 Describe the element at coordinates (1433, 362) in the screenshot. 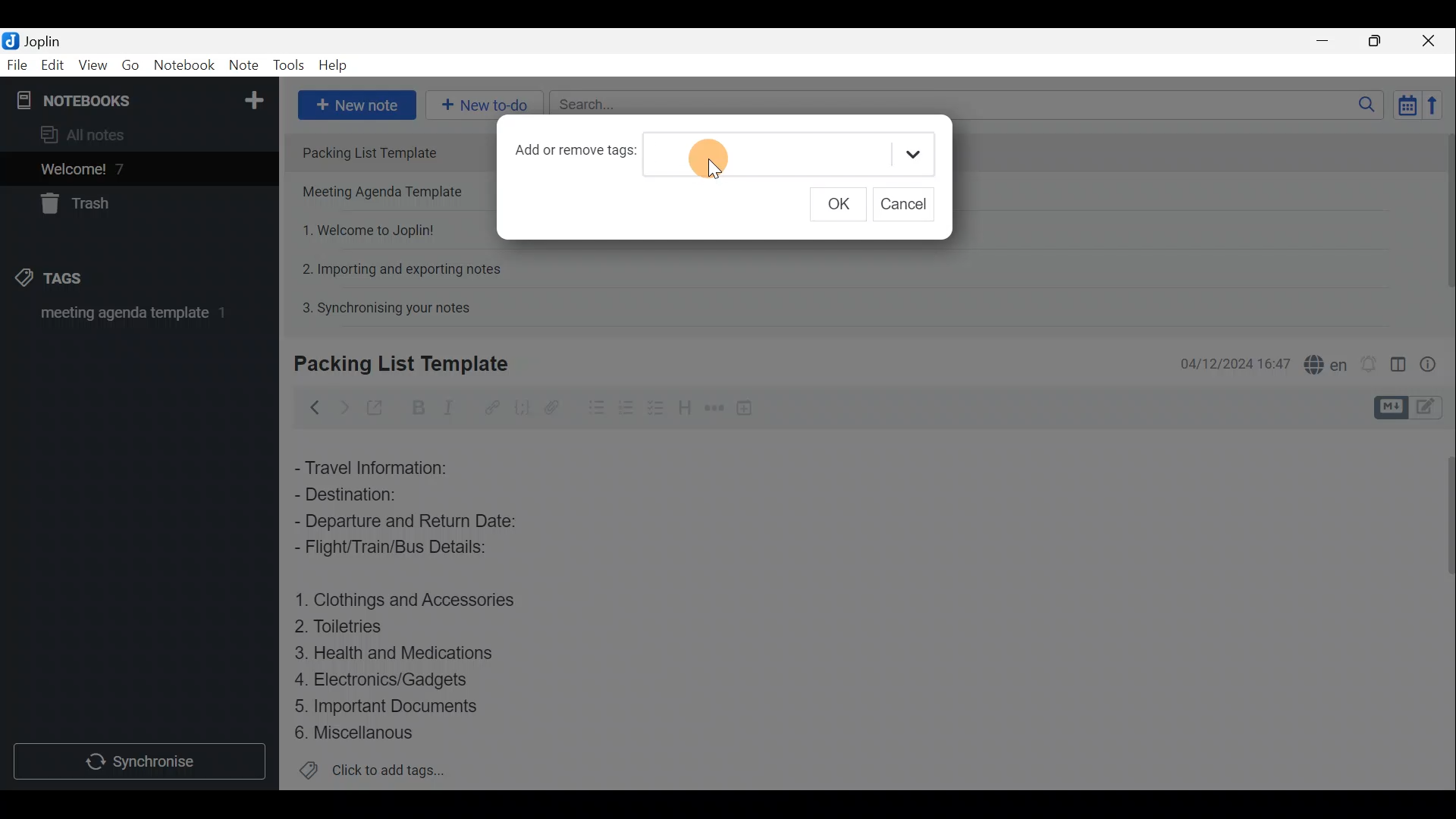

I see `Note properties` at that location.